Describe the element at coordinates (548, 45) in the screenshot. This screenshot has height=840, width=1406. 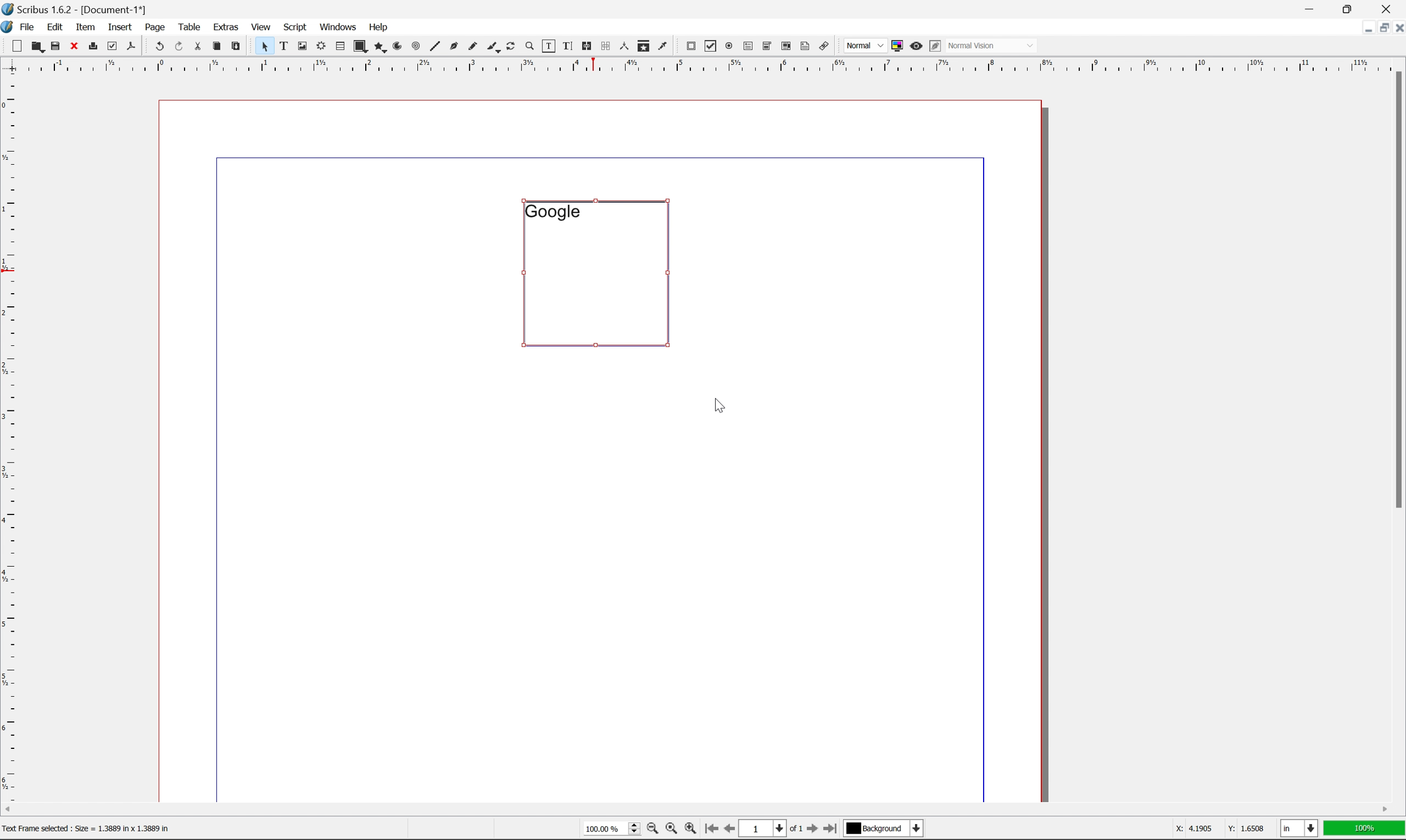
I see `edit contents of frame` at that location.